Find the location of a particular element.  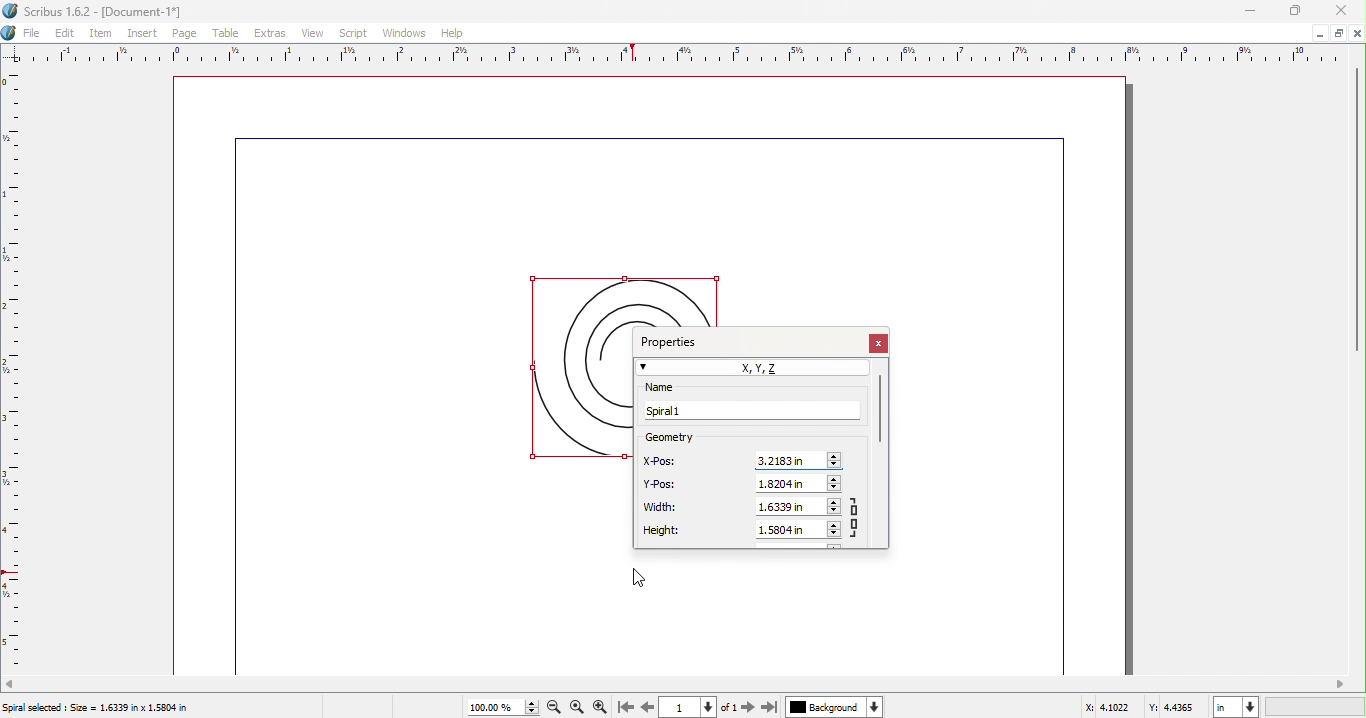

Extras is located at coordinates (271, 34).